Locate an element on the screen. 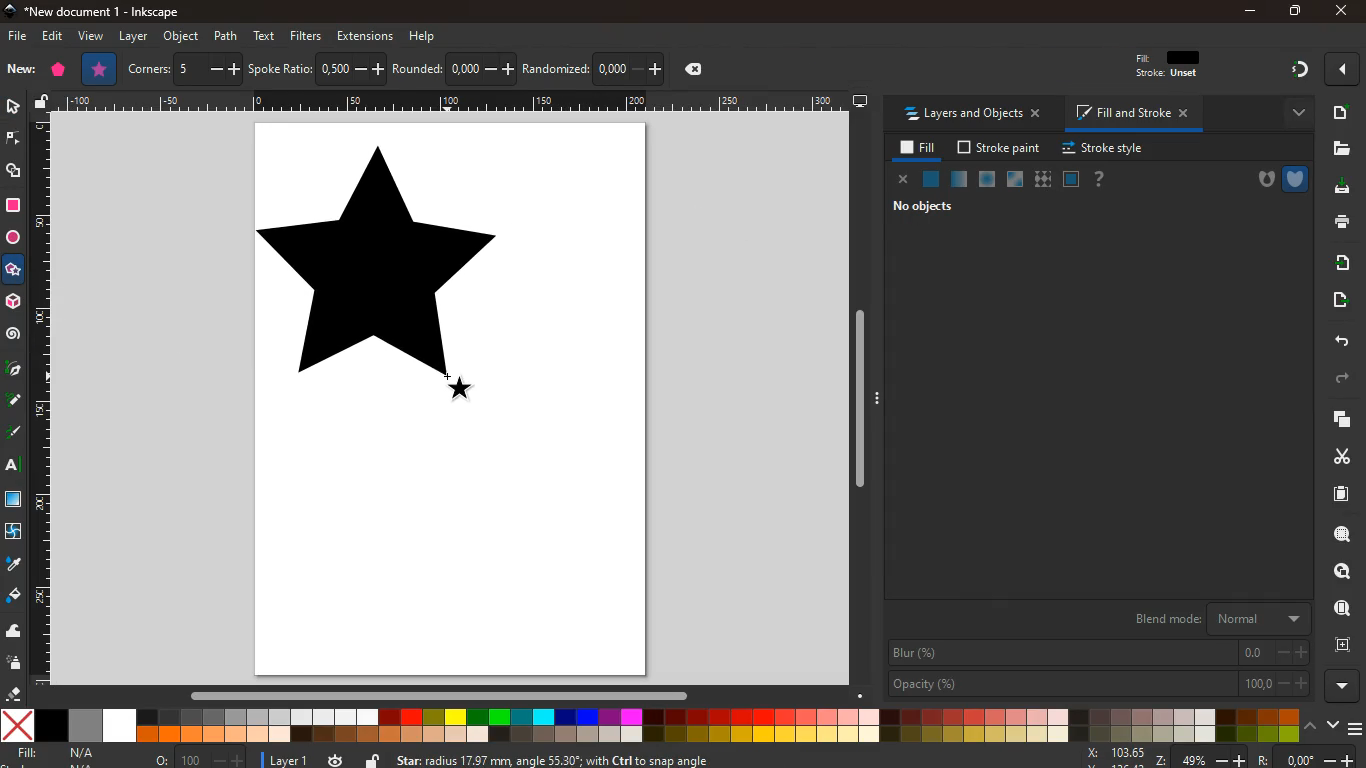 This screenshot has width=1366, height=768. file is located at coordinates (19, 36).